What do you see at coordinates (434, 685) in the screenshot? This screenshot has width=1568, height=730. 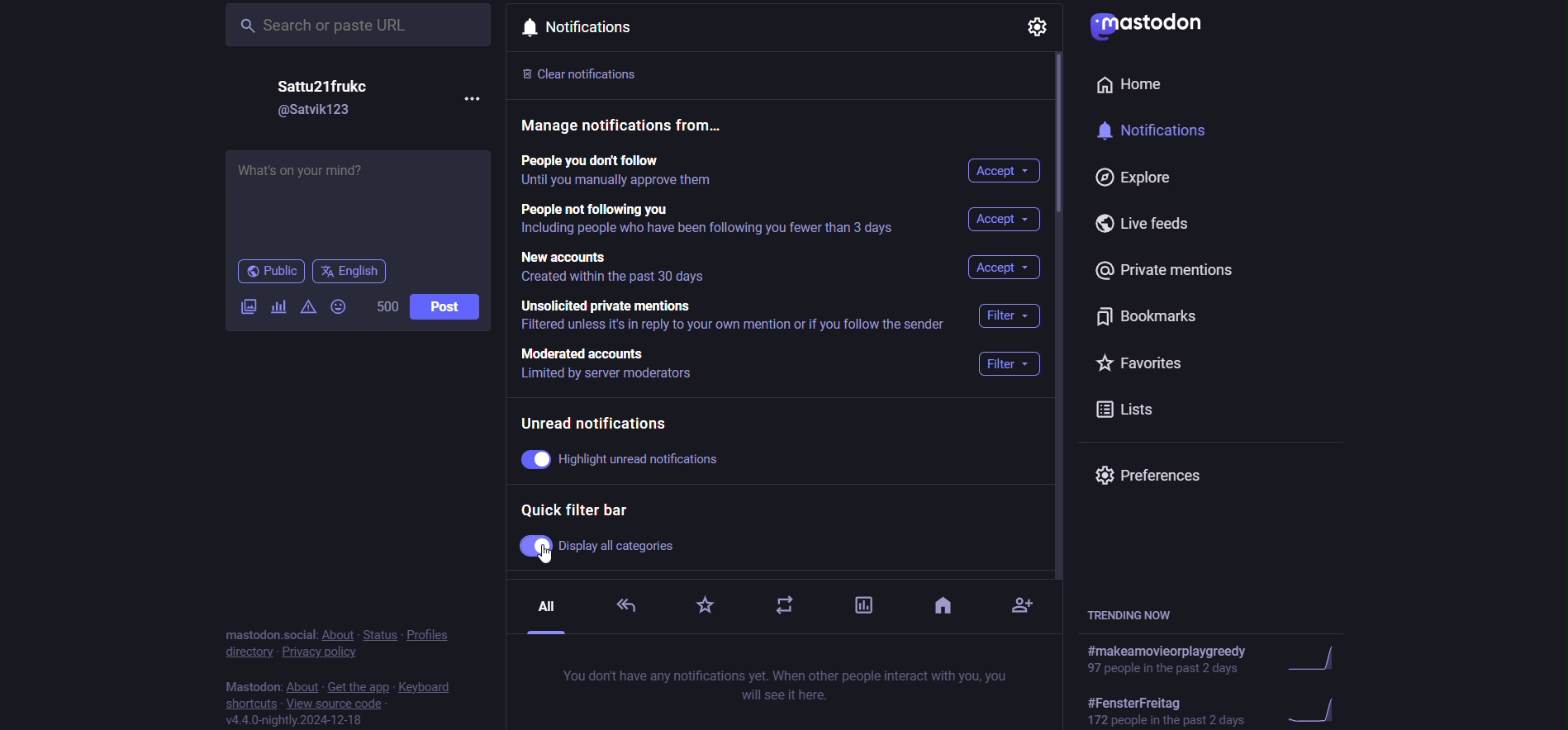 I see `keyboard` at bounding box center [434, 685].